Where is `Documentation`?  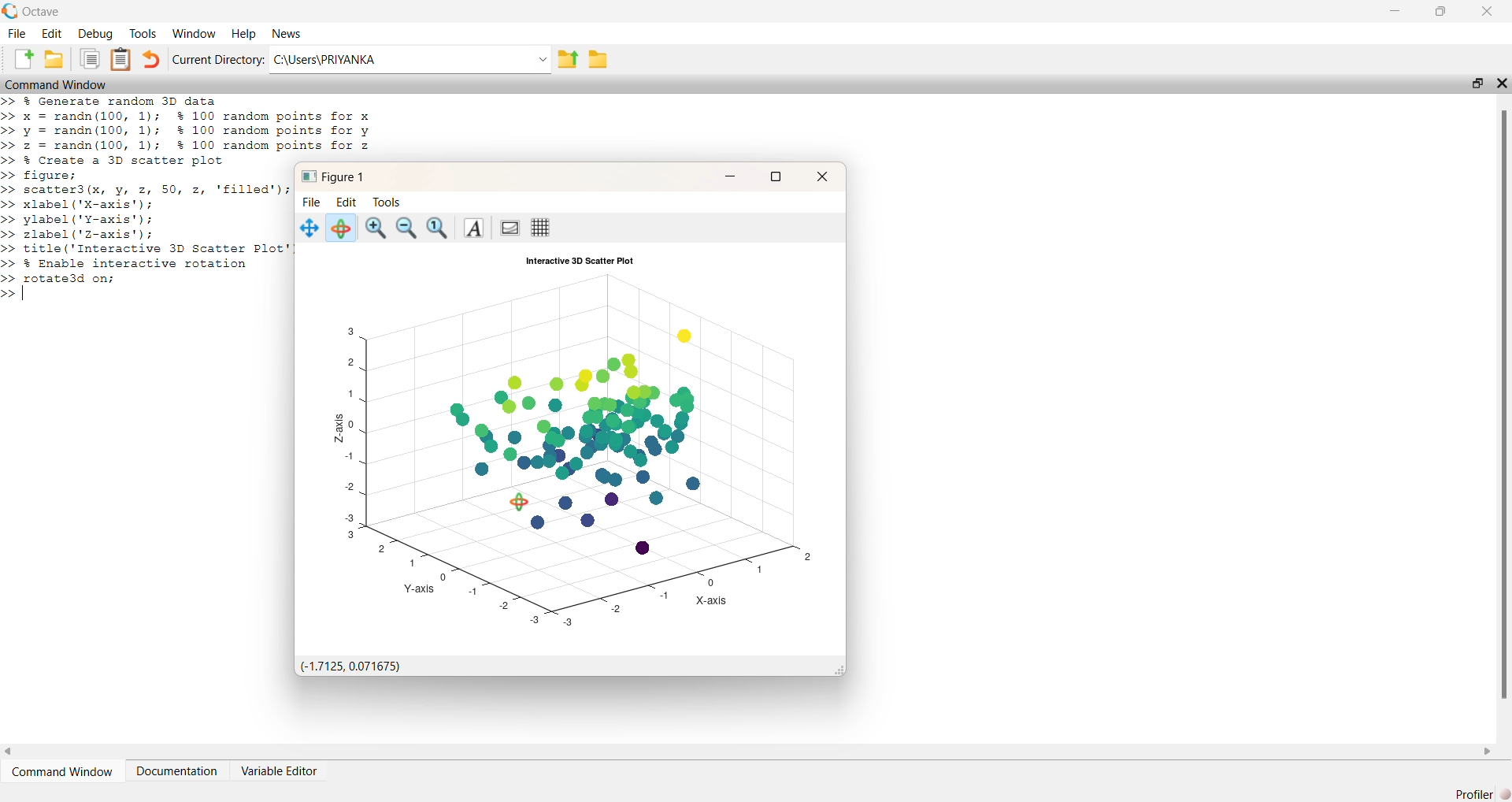 Documentation is located at coordinates (176, 771).